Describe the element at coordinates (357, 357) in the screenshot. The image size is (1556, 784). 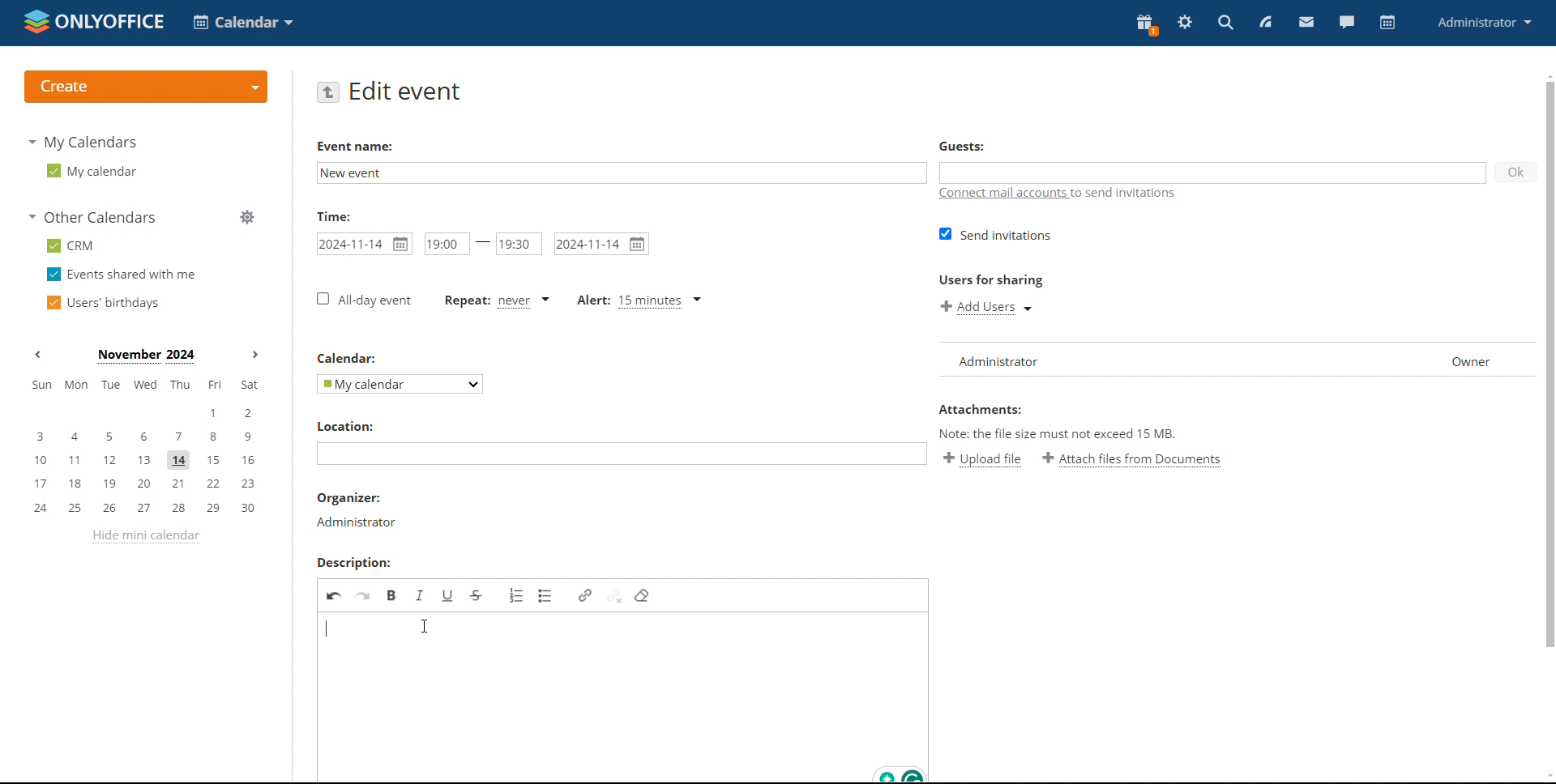
I see `calendar` at that location.